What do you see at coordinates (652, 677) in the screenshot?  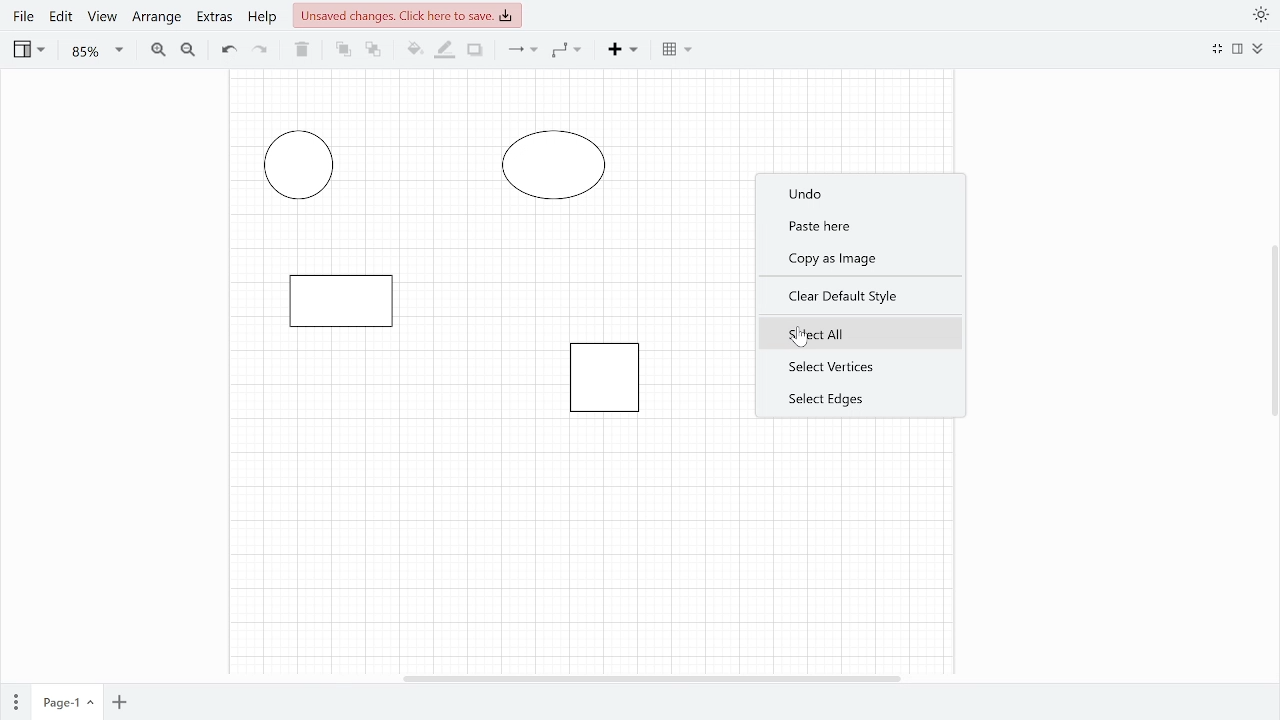 I see `Horizontal scrollbar` at bounding box center [652, 677].